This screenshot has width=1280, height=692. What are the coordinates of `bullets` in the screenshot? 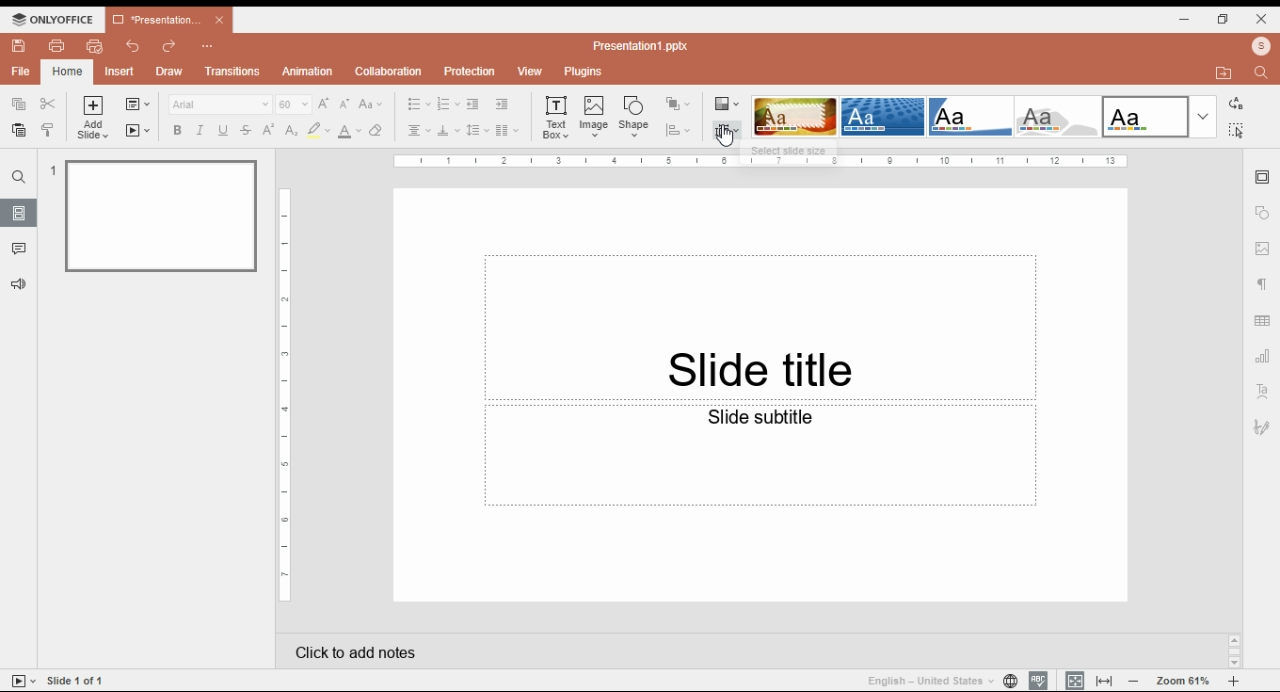 It's located at (419, 104).